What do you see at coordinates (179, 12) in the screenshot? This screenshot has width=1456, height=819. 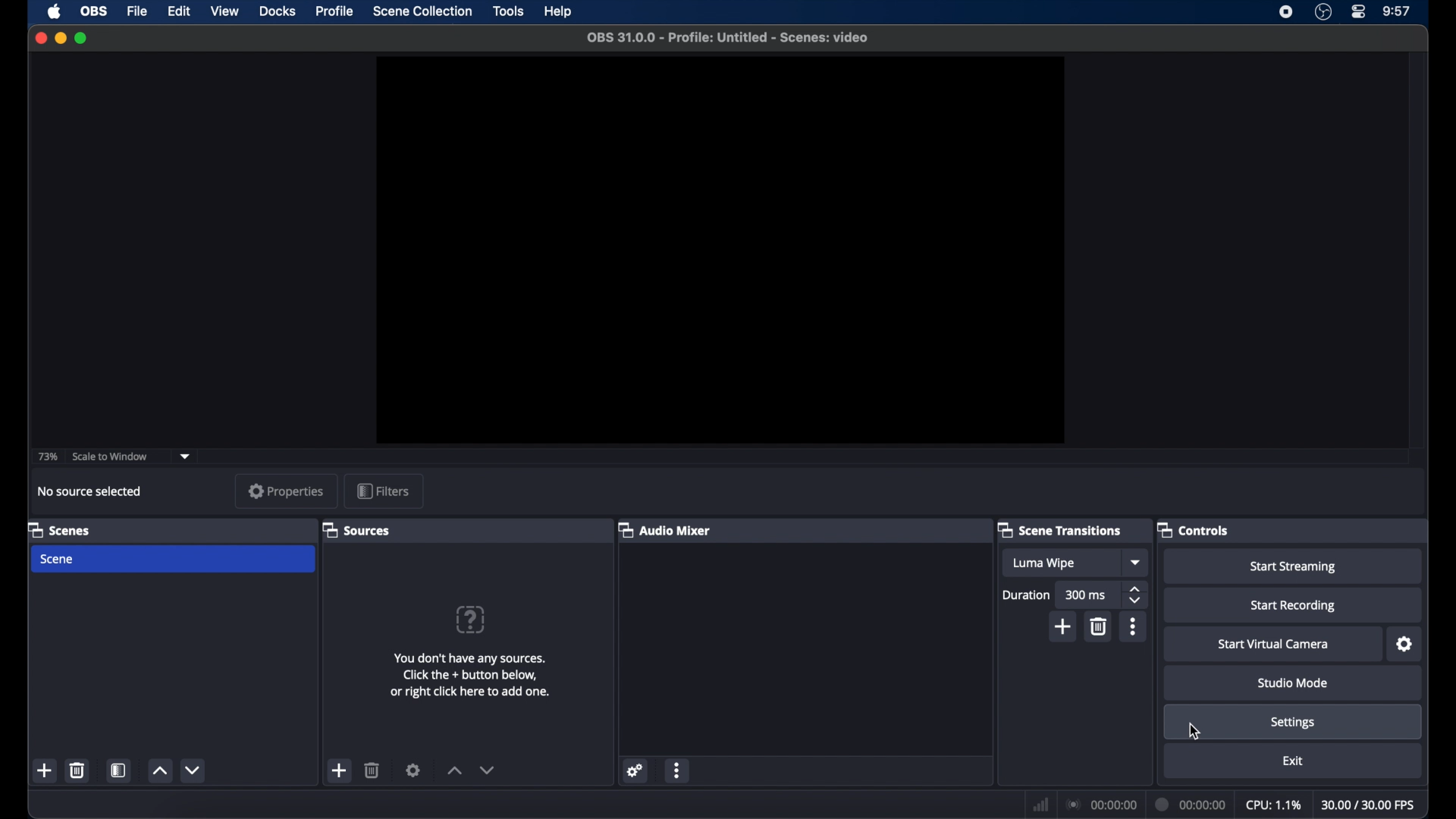 I see `edit` at bounding box center [179, 12].